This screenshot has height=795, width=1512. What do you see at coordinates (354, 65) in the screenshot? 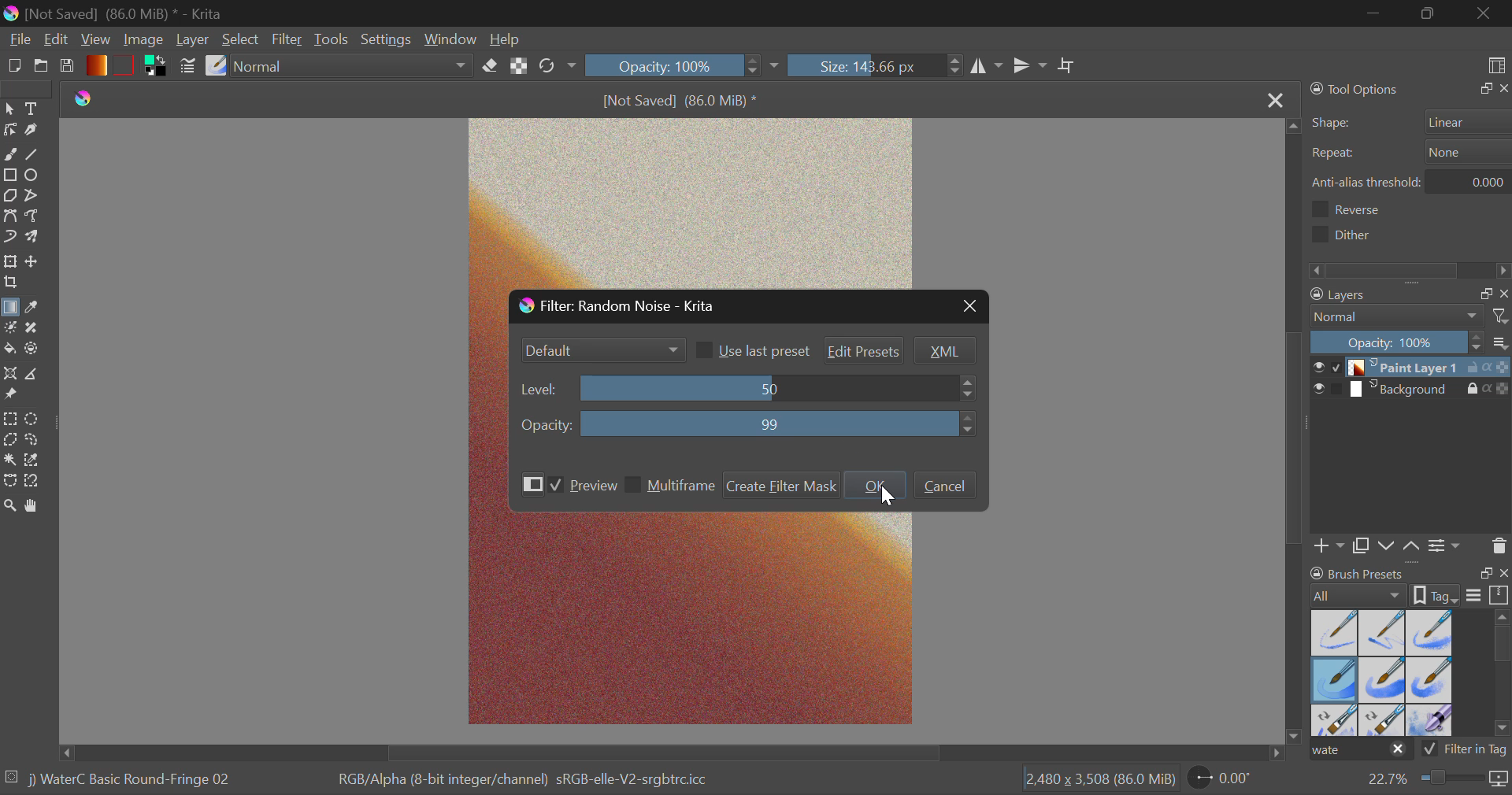
I see `Blending Mode` at bounding box center [354, 65].